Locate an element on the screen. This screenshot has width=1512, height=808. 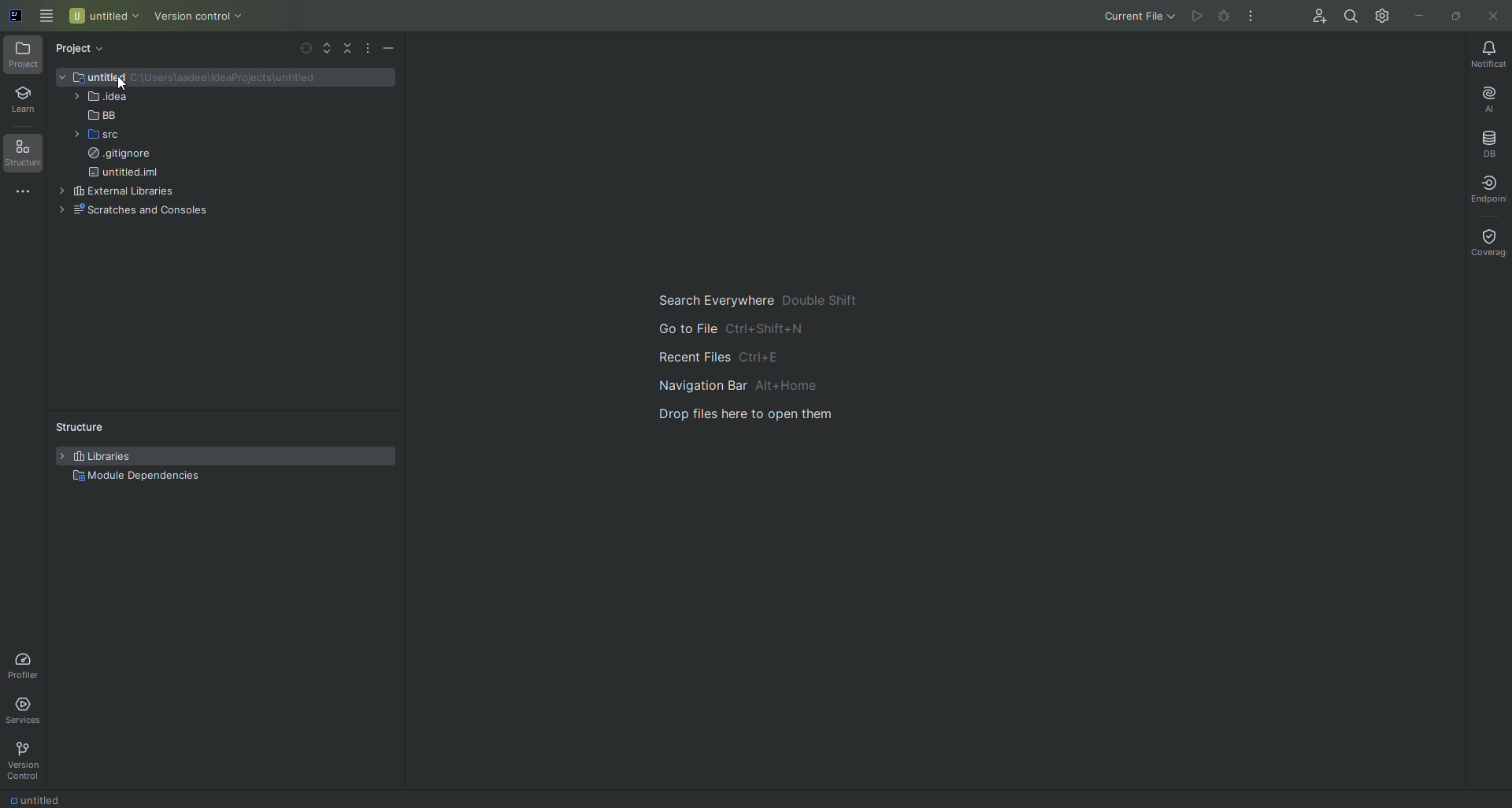
Restore is located at coordinates (1452, 14).